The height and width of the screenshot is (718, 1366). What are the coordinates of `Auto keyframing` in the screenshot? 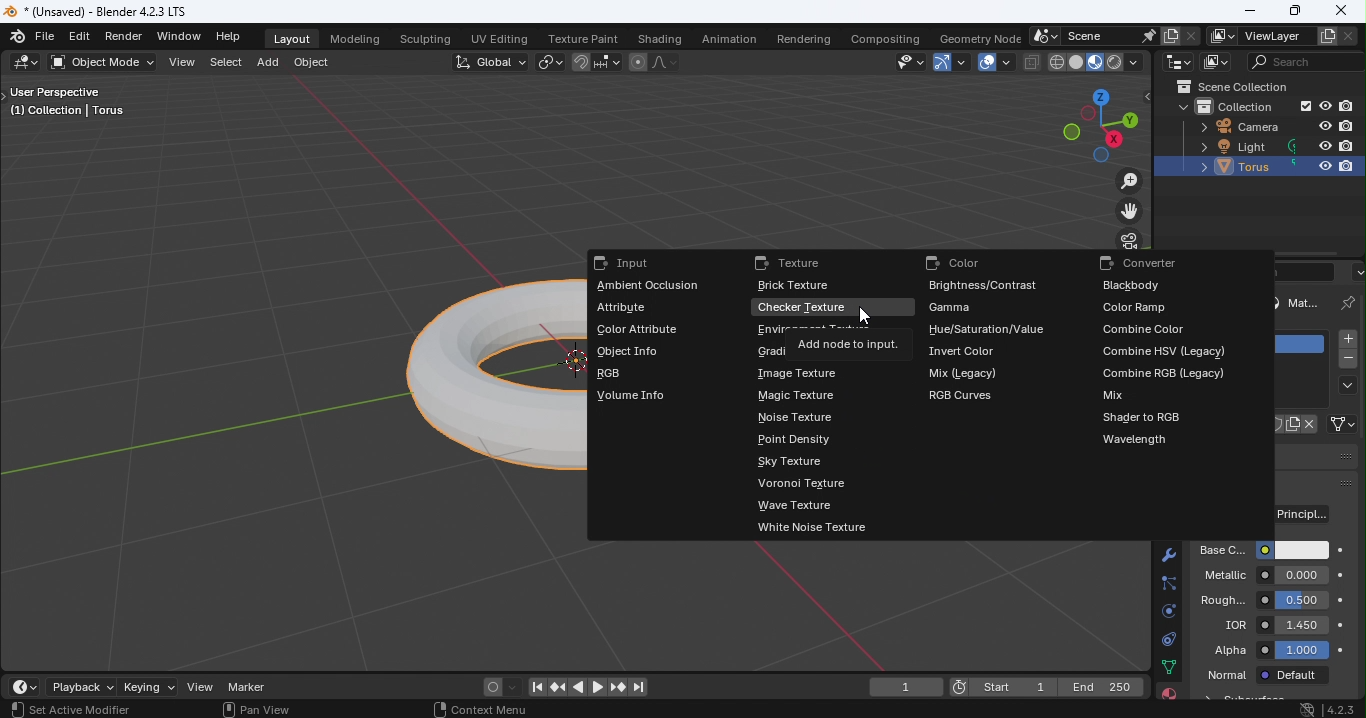 It's located at (496, 686).